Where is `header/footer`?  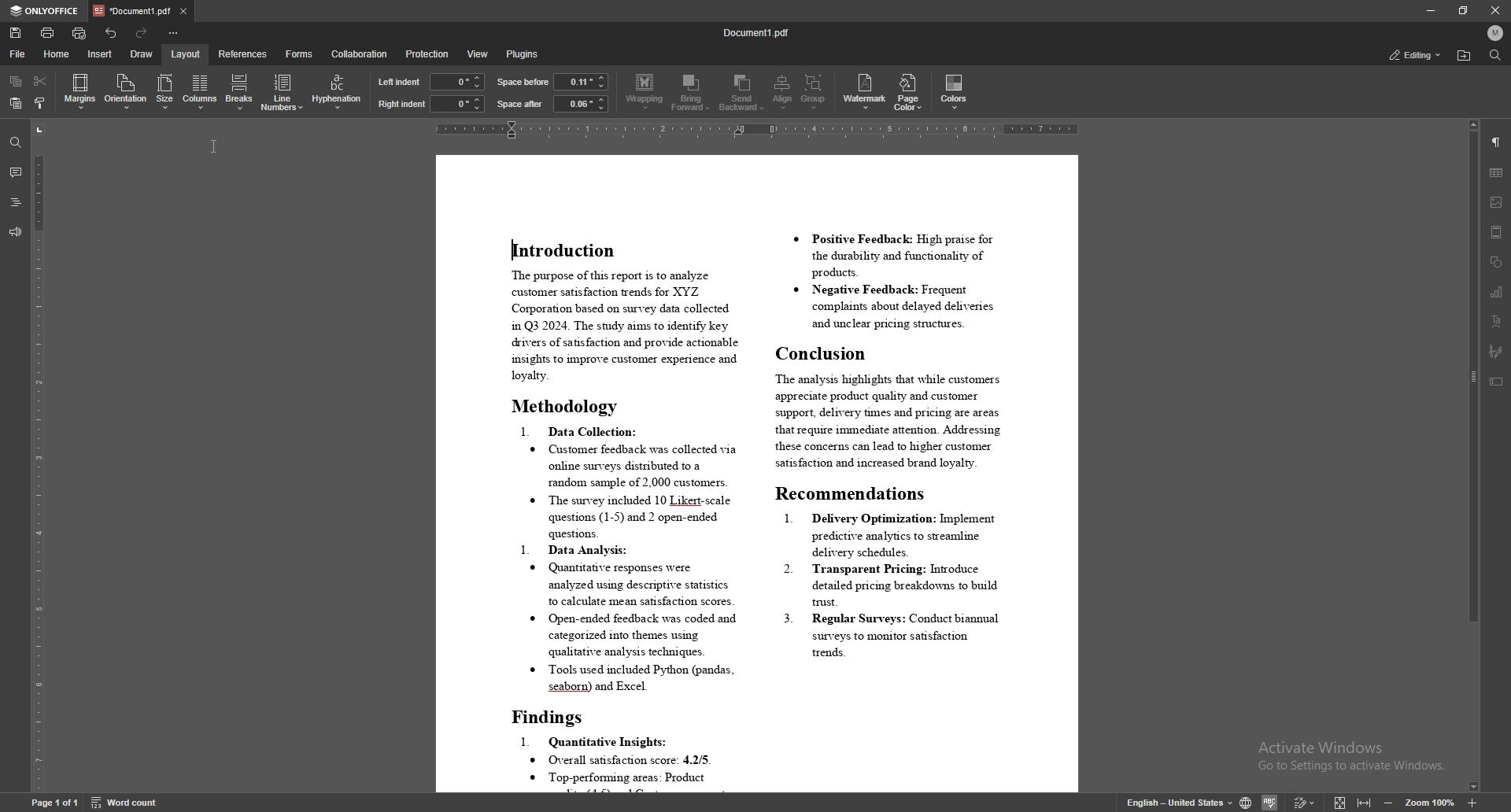 header/footer is located at coordinates (1497, 232).